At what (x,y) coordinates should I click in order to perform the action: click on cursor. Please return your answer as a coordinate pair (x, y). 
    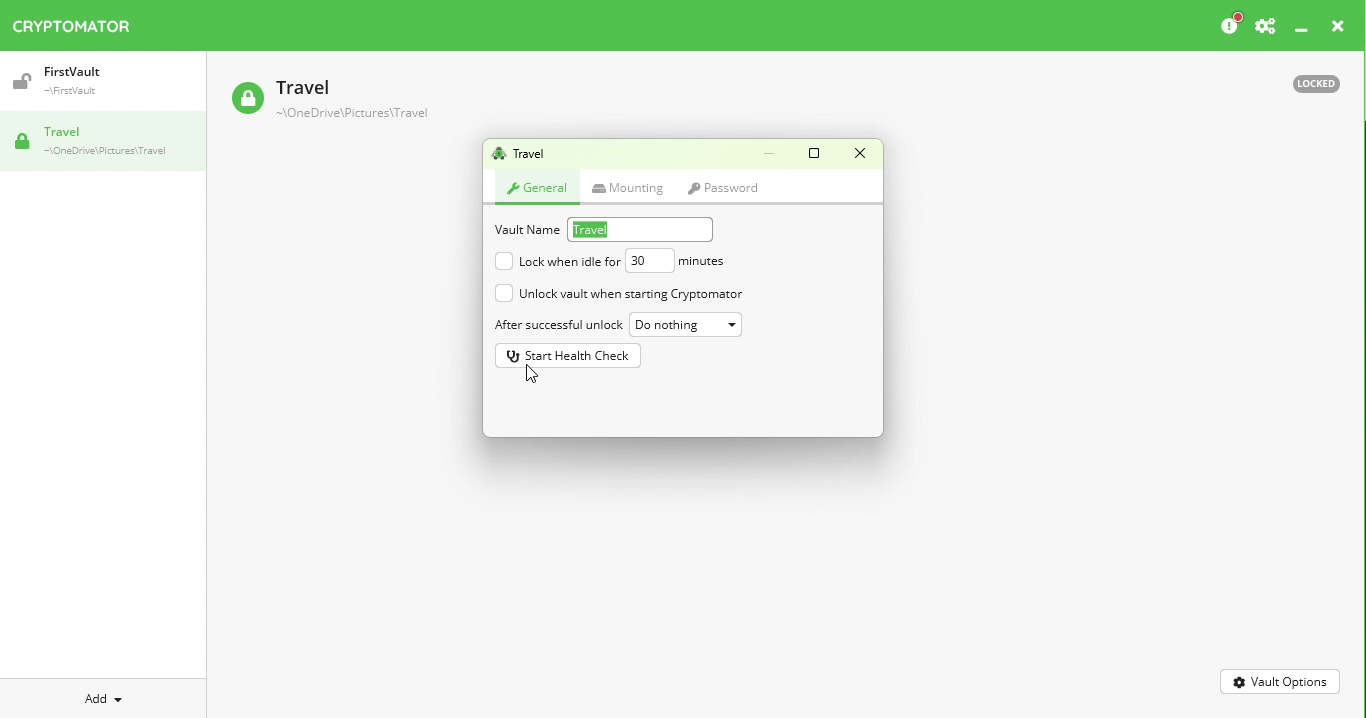
    Looking at the image, I should click on (529, 372).